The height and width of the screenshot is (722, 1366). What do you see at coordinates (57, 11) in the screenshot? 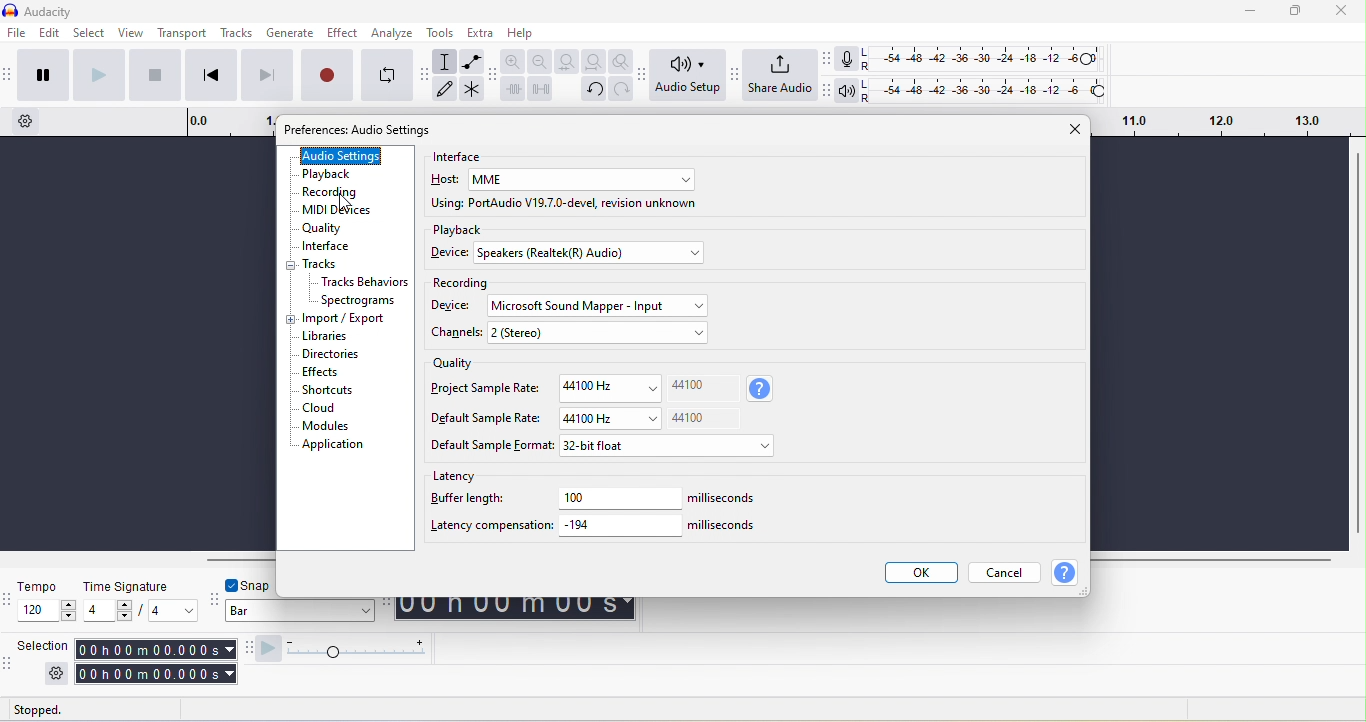
I see `title` at bounding box center [57, 11].